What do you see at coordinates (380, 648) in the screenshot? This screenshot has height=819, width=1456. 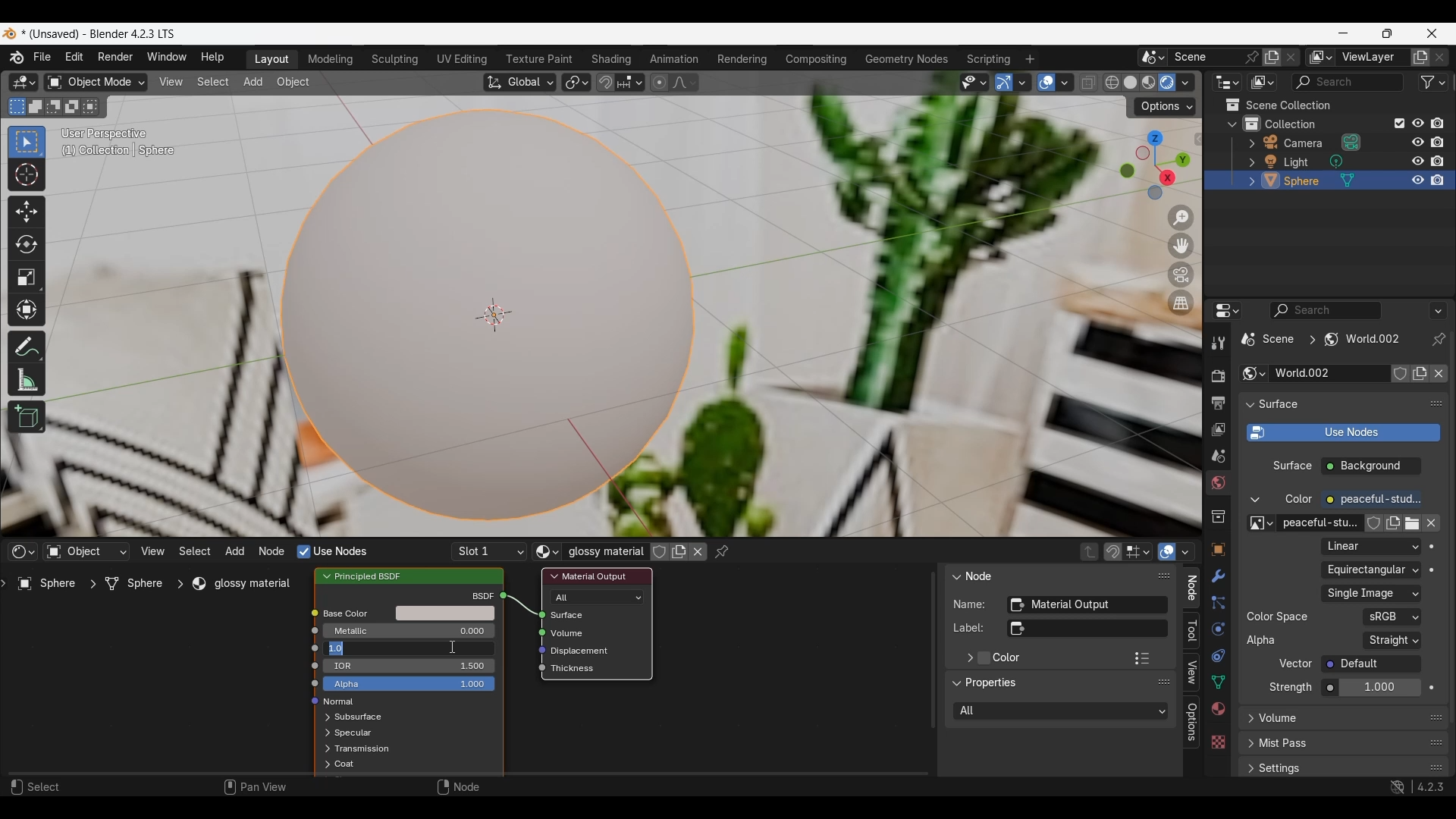 I see `Typing value of roughness` at bounding box center [380, 648].